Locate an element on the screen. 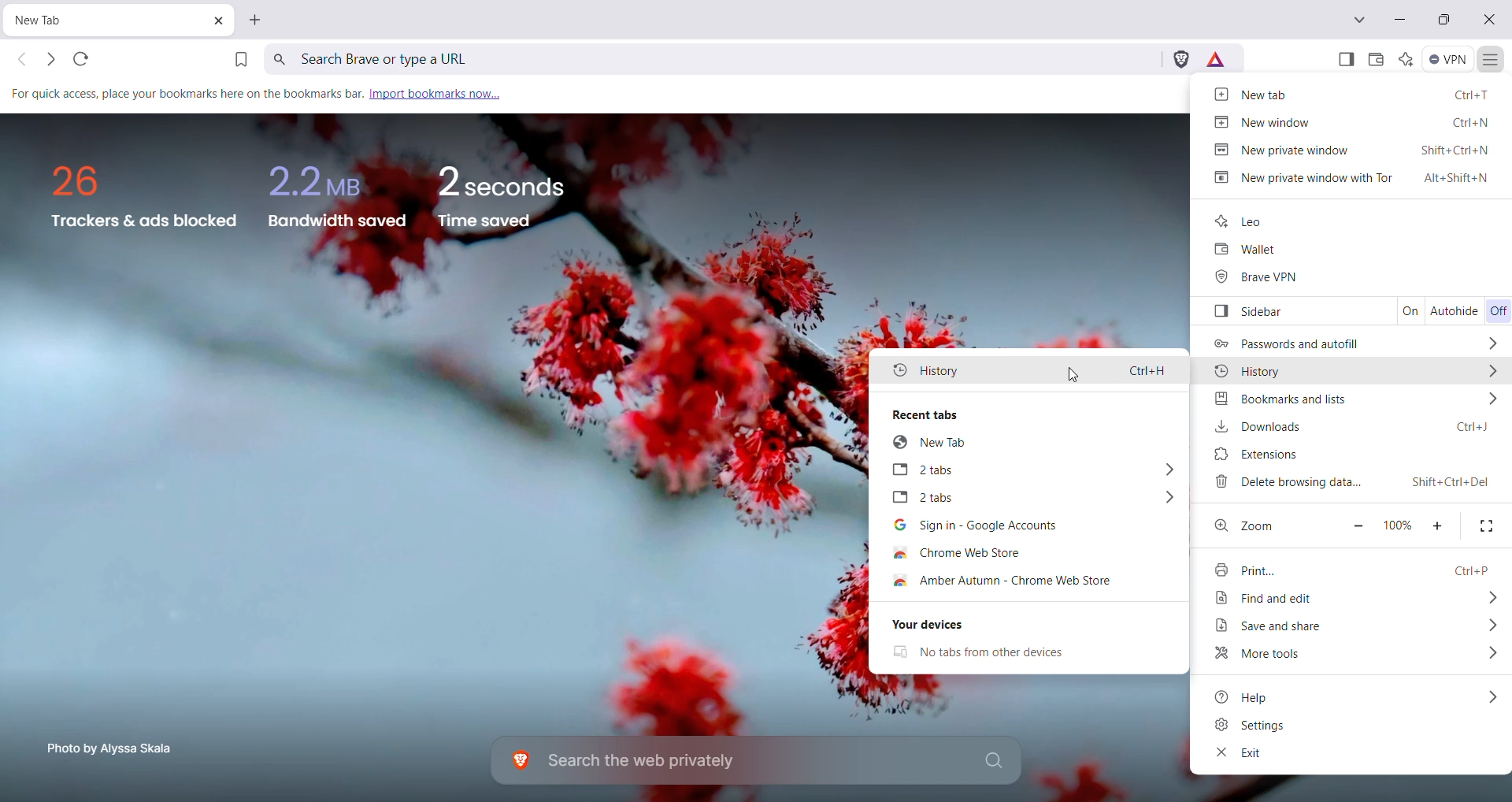  New private window with Tor is located at coordinates (1354, 177).